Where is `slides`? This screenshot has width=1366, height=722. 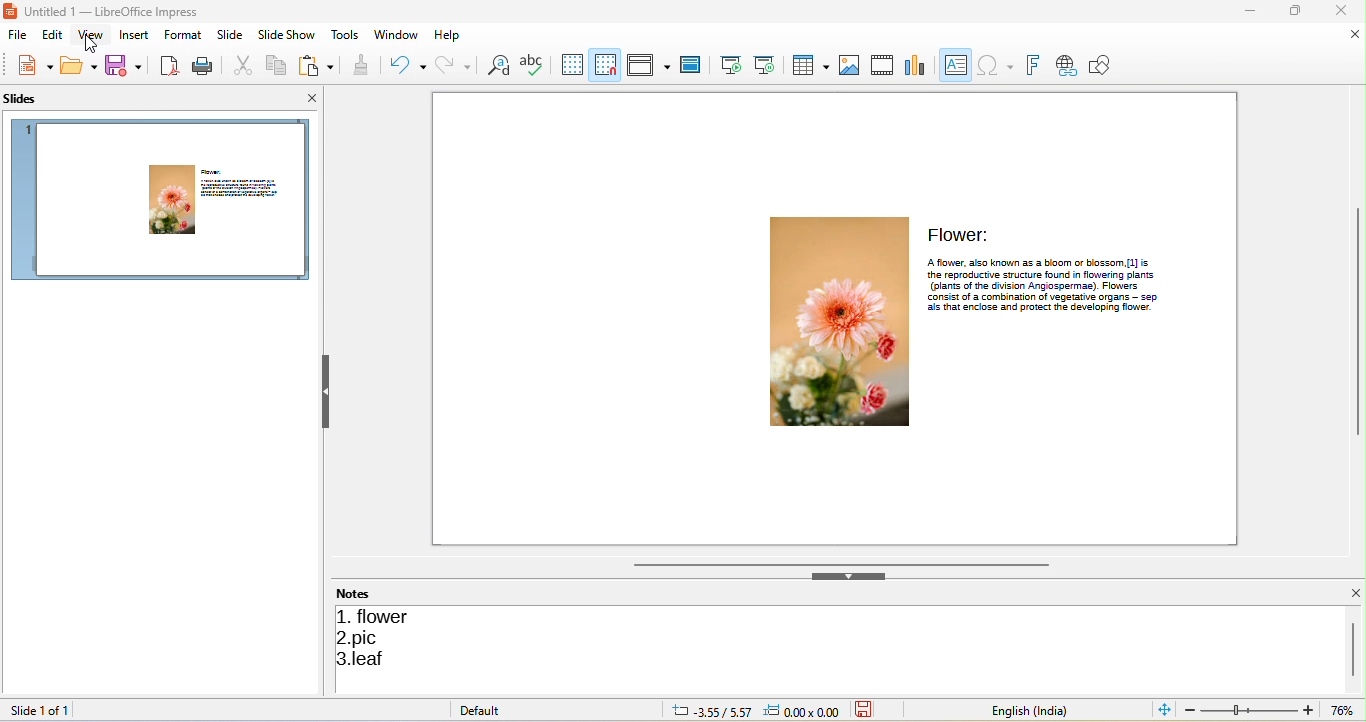
slides is located at coordinates (33, 99).